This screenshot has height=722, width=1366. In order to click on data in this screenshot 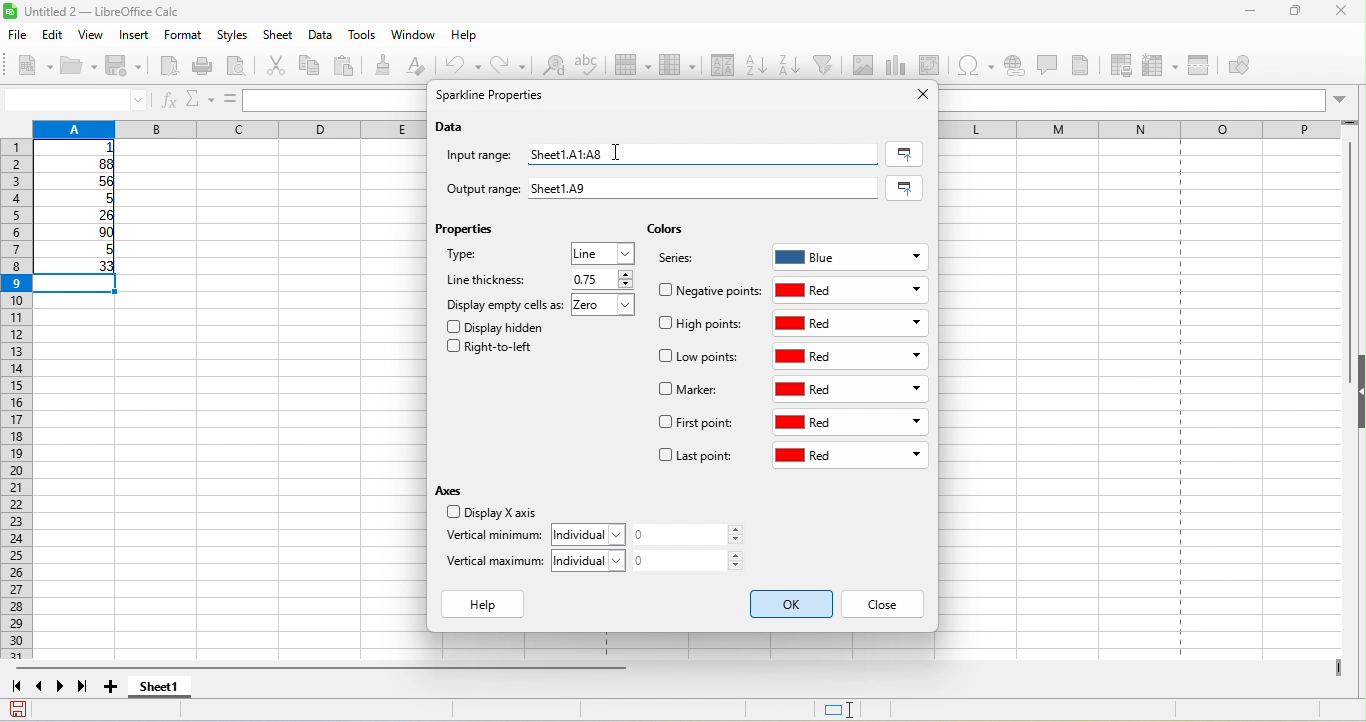, I will do `click(453, 128)`.